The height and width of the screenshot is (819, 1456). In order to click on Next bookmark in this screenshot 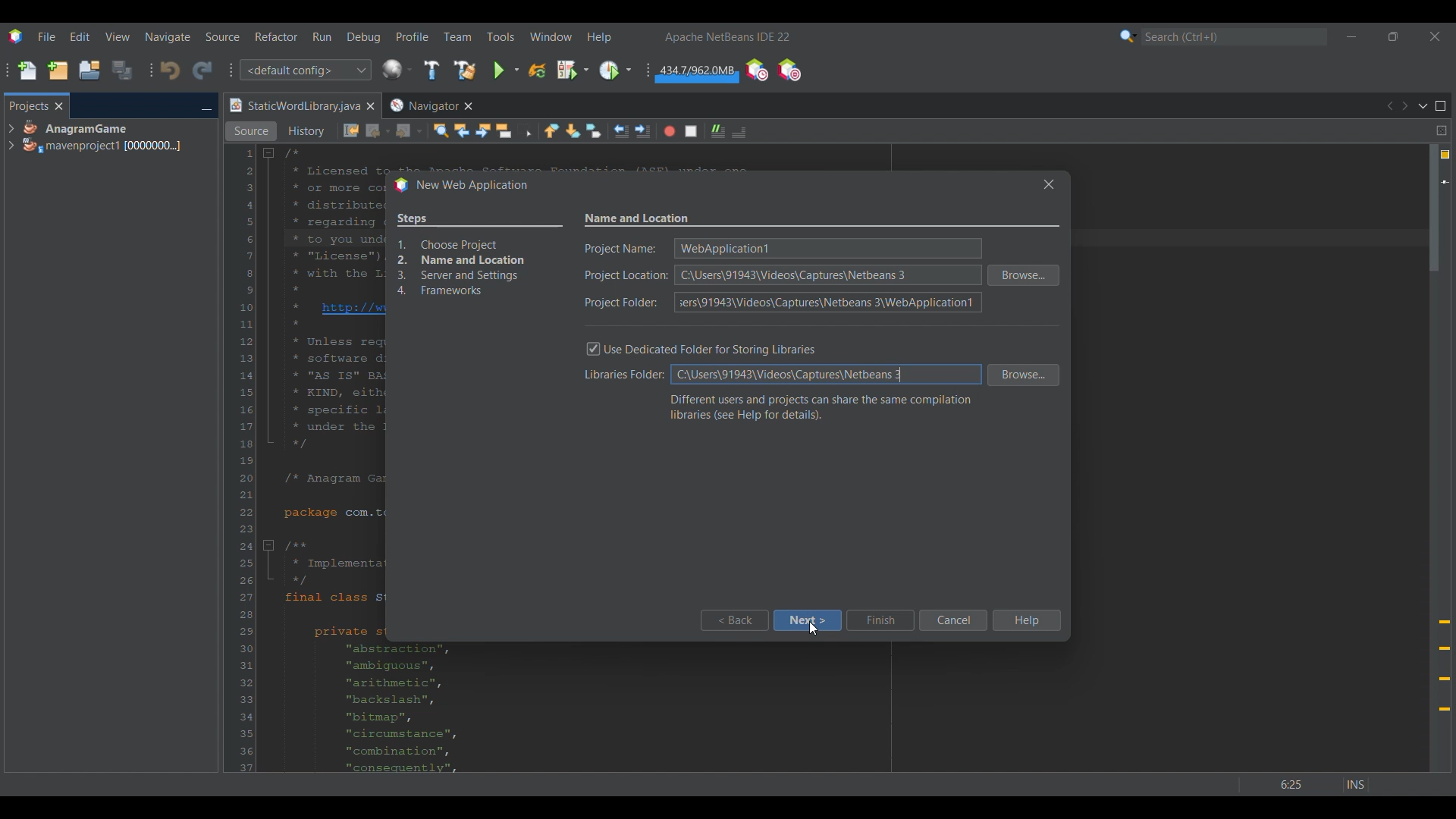, I will do `click(573, 131)`.